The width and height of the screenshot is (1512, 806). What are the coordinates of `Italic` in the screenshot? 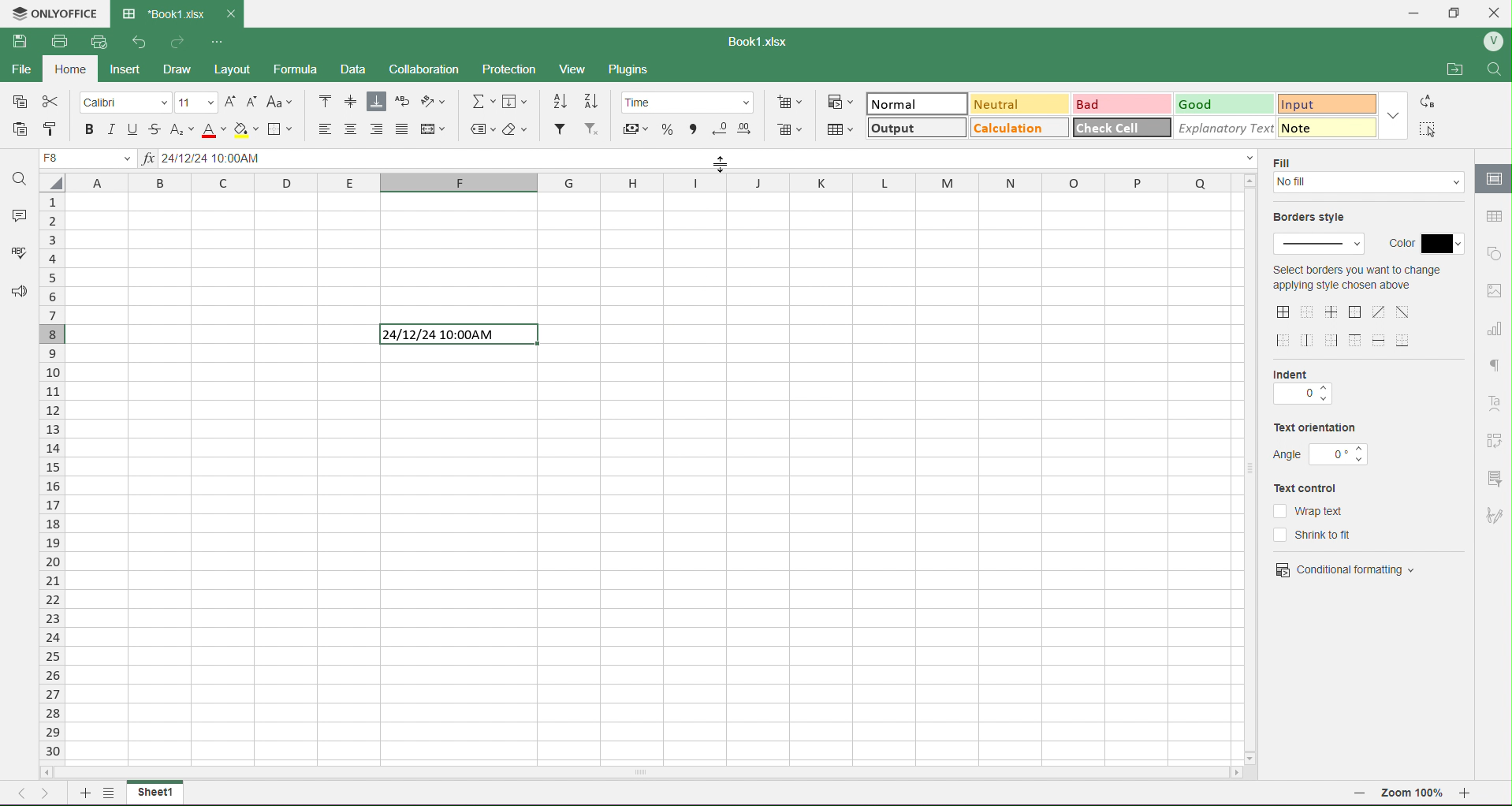 It's located at (110, 129).